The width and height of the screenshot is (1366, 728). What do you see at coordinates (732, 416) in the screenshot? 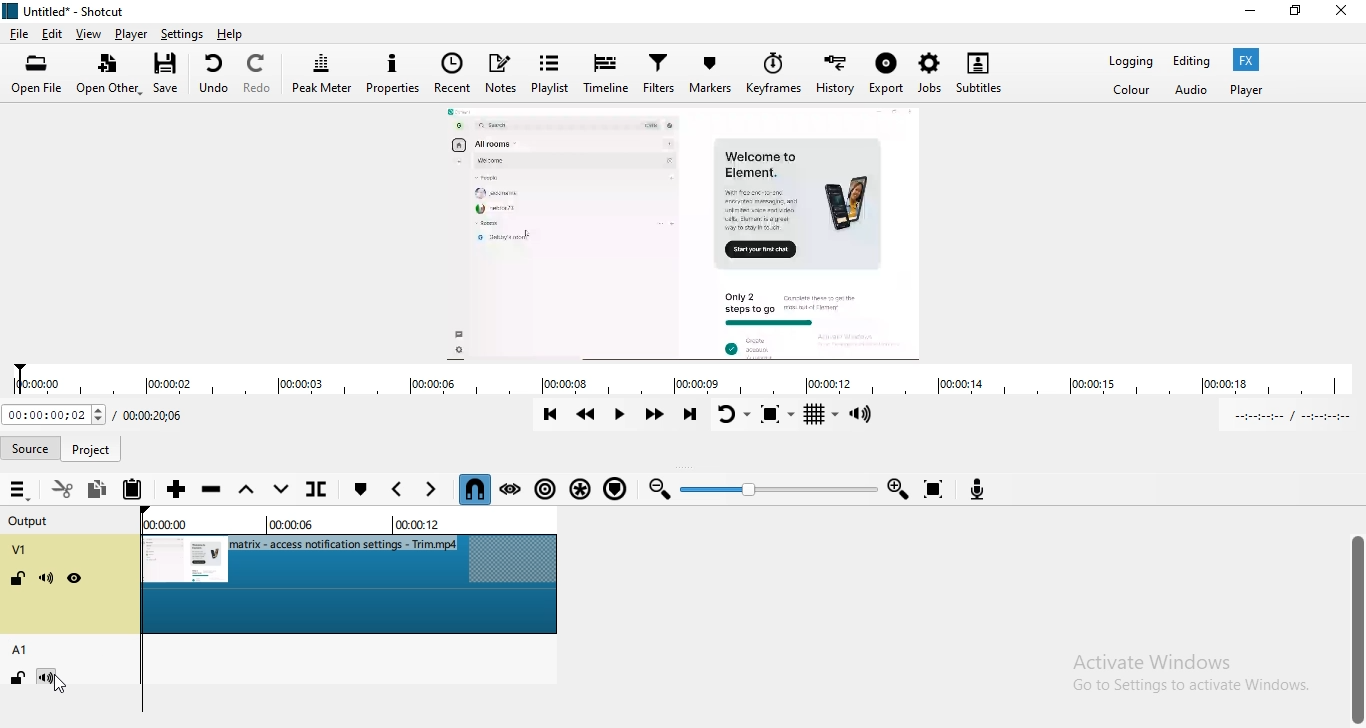
I see `Toggle player looping ` at bounding box center [732, 416].